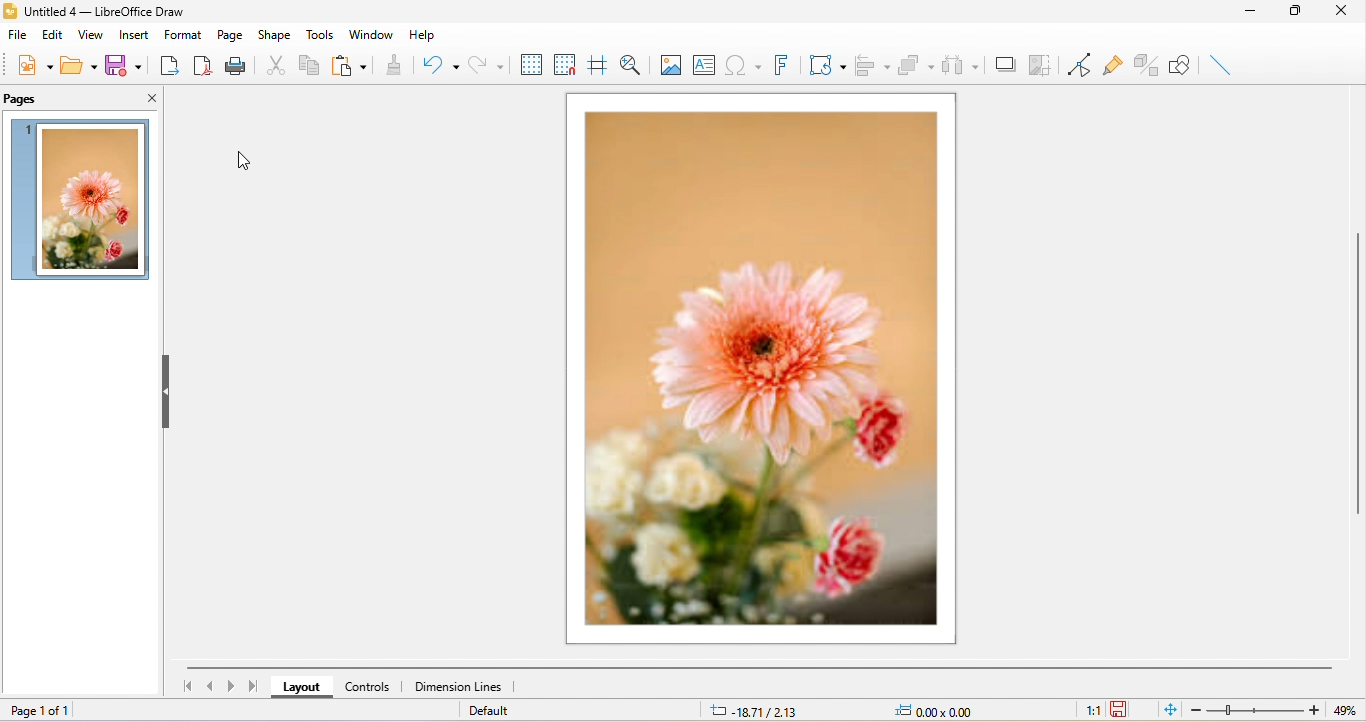  I want to click on arrange, so click(919, 63).